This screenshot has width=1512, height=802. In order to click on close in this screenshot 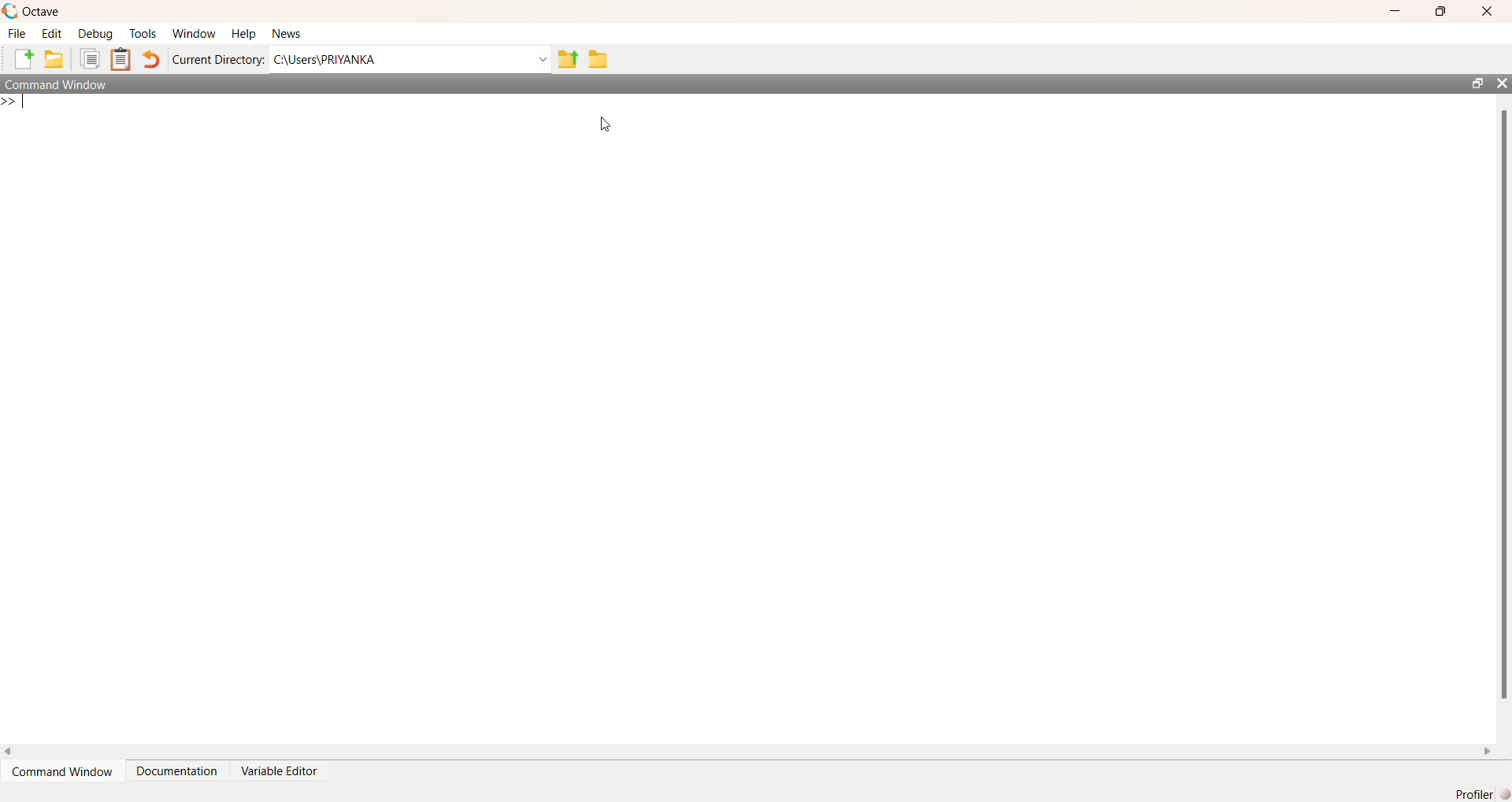, I will do `click(1502, 83)`.